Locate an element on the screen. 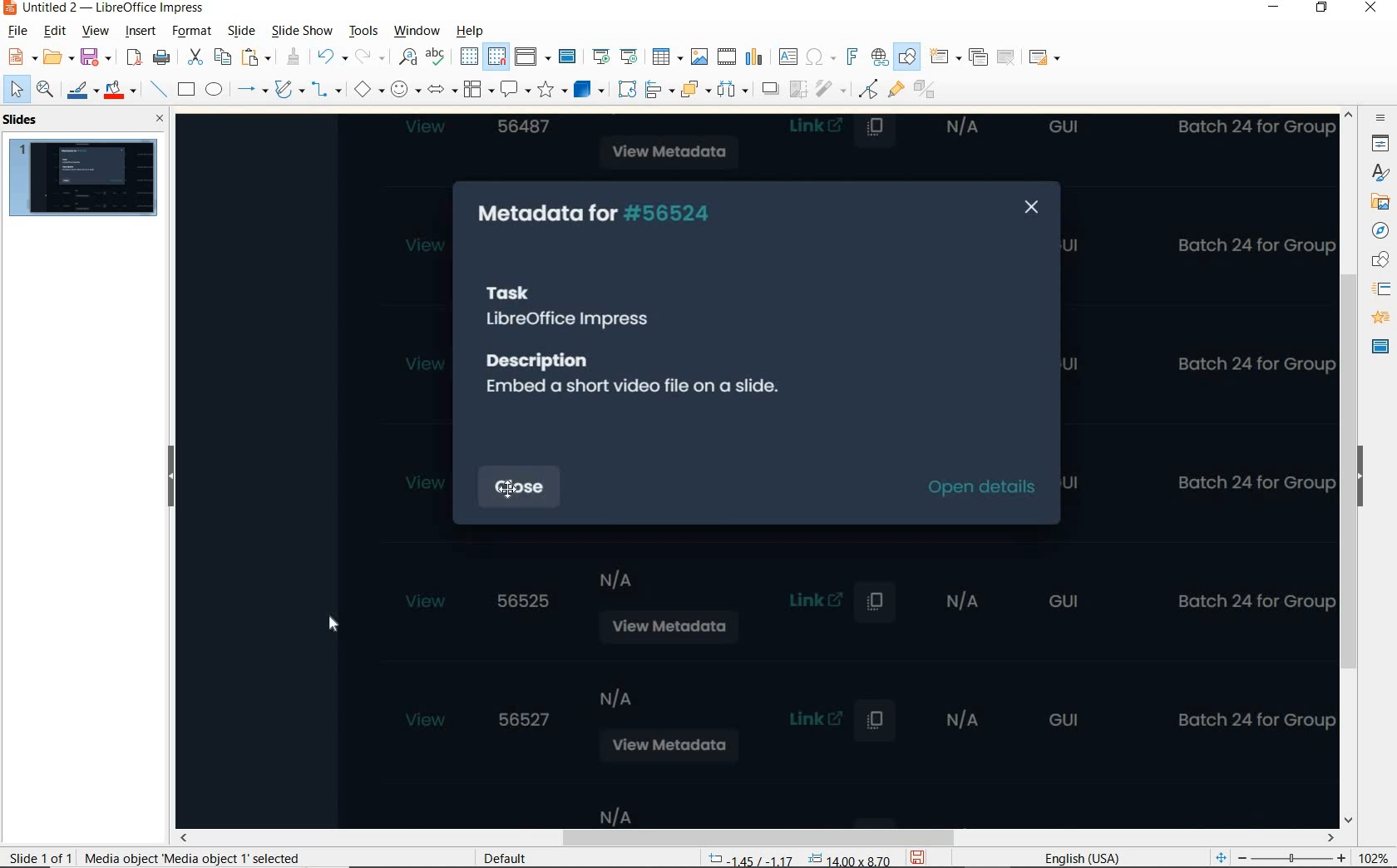 The image size is (1397, 868). START FROM CURRENT SLIDE is located at coordinates (630, 57).